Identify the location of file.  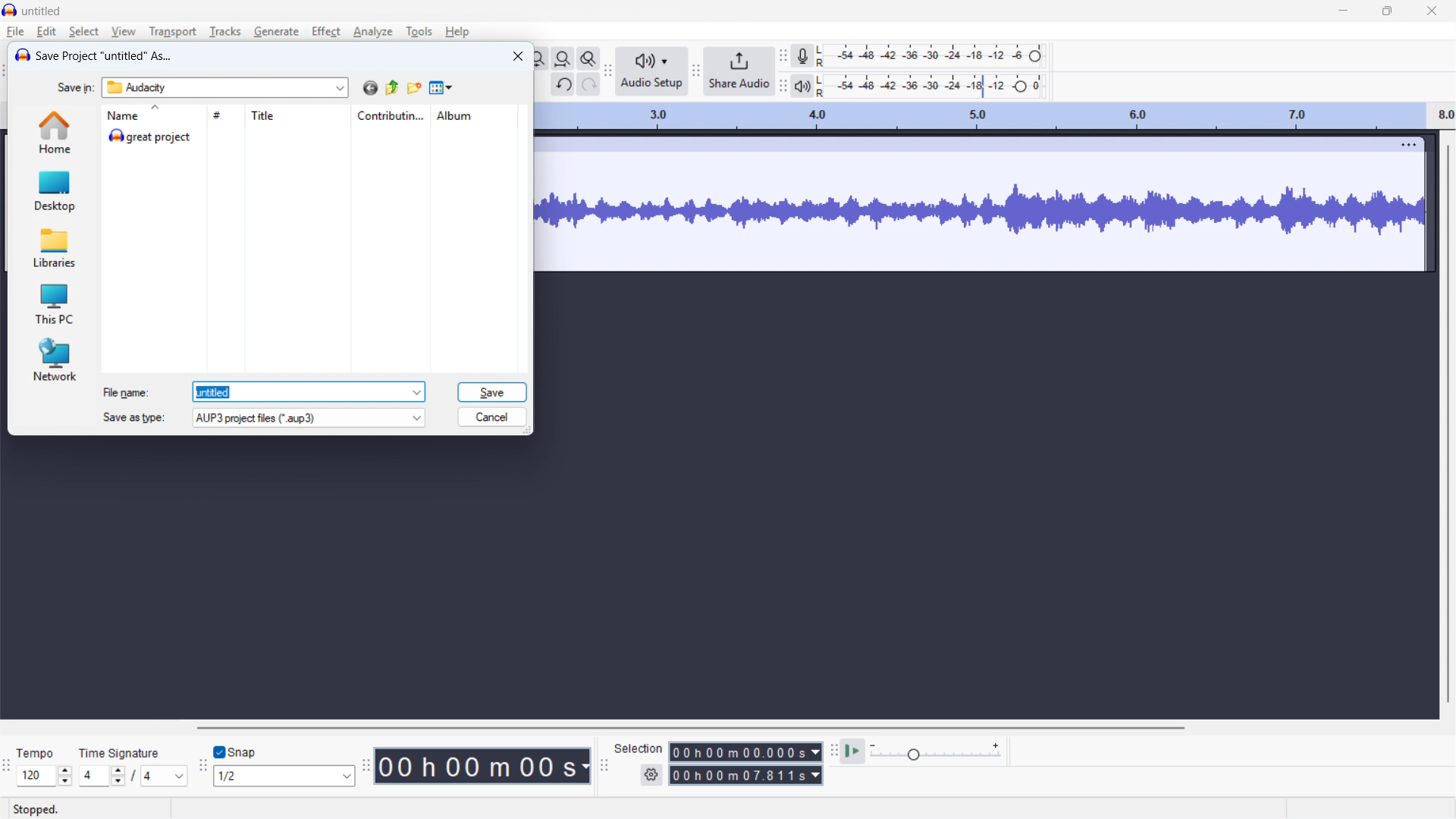
(15, 32).